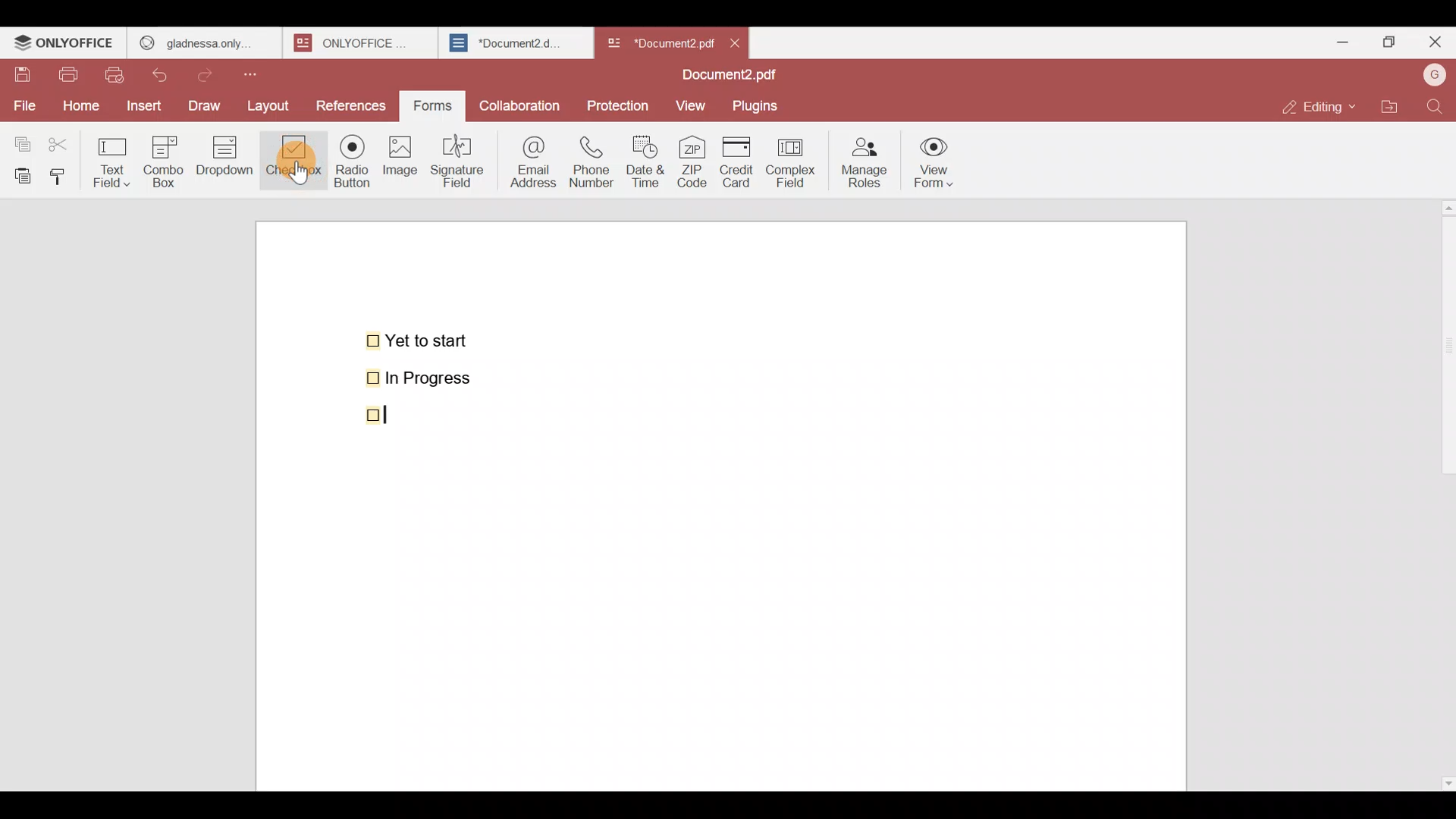 The image size is (1456, 819). I want to click on Signature field, so click(462, 159).